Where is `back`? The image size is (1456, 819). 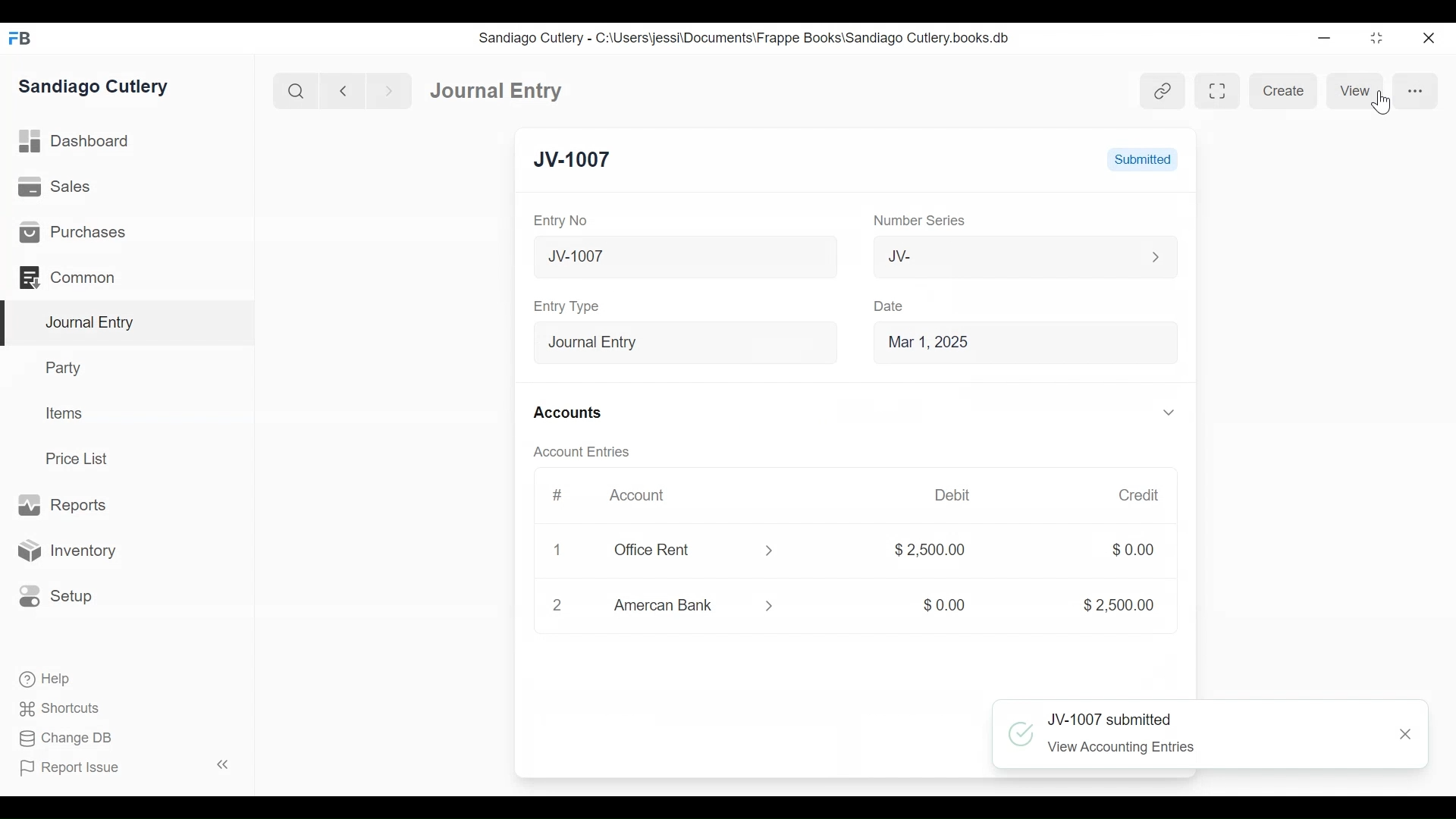
back is located at coordinates (343, 89).